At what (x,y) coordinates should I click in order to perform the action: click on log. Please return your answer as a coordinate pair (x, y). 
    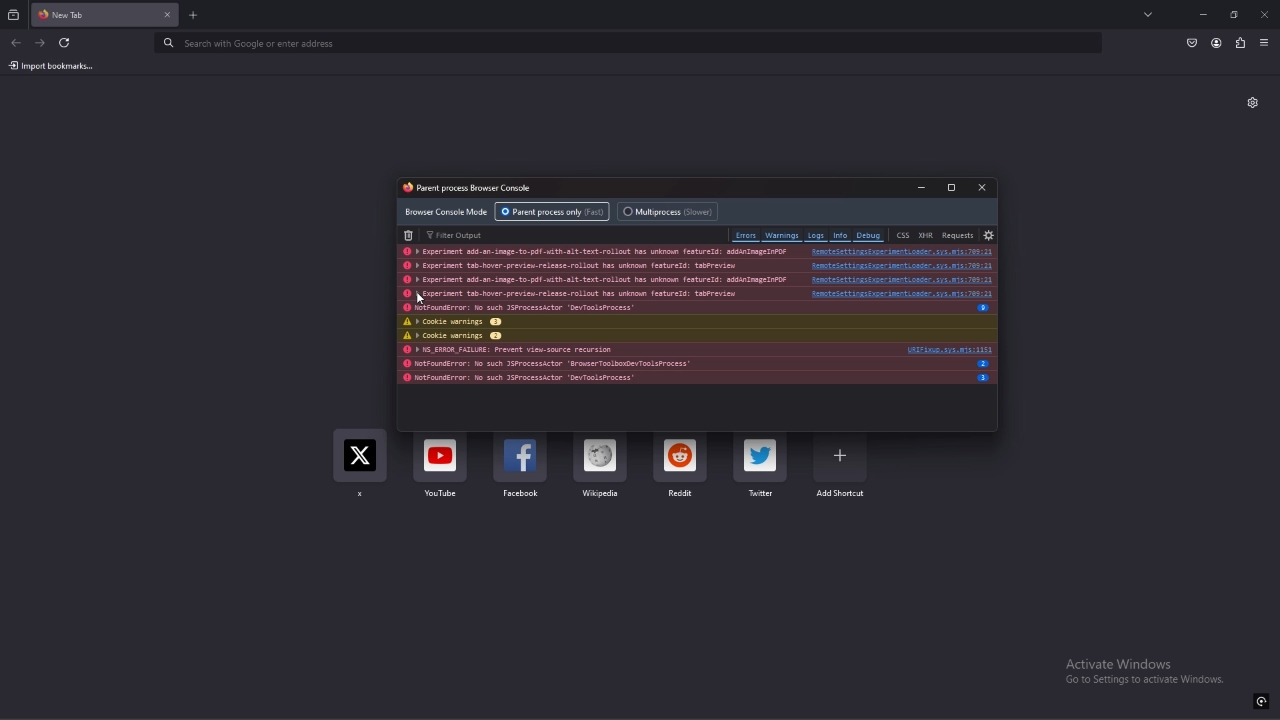
    Looking at the image, I should click on (593, 363).